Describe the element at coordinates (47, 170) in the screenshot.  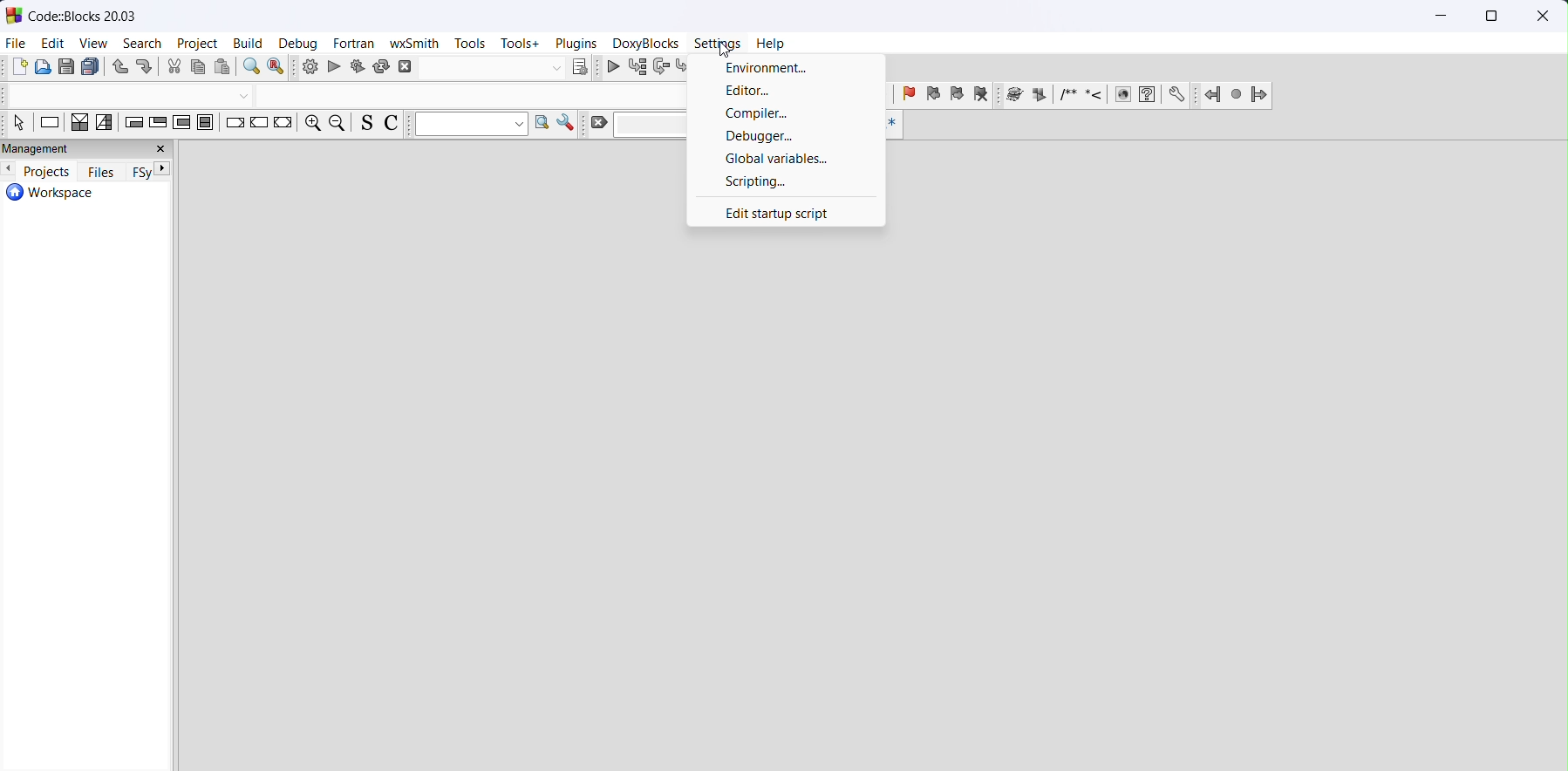
I see `projects` at that location.